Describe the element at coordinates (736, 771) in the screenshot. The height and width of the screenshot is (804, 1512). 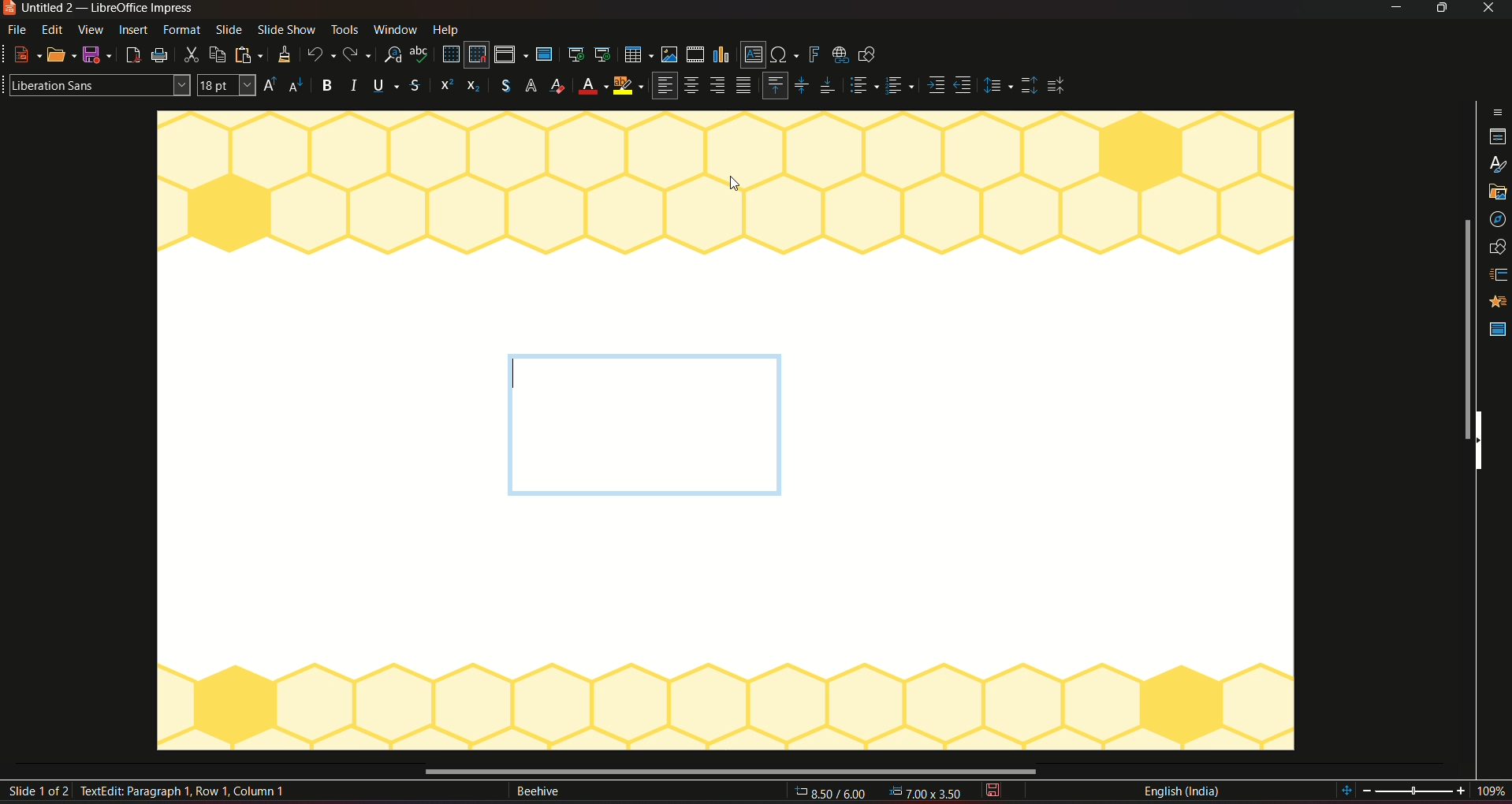
I see `horizontal scrollbar` at that location.